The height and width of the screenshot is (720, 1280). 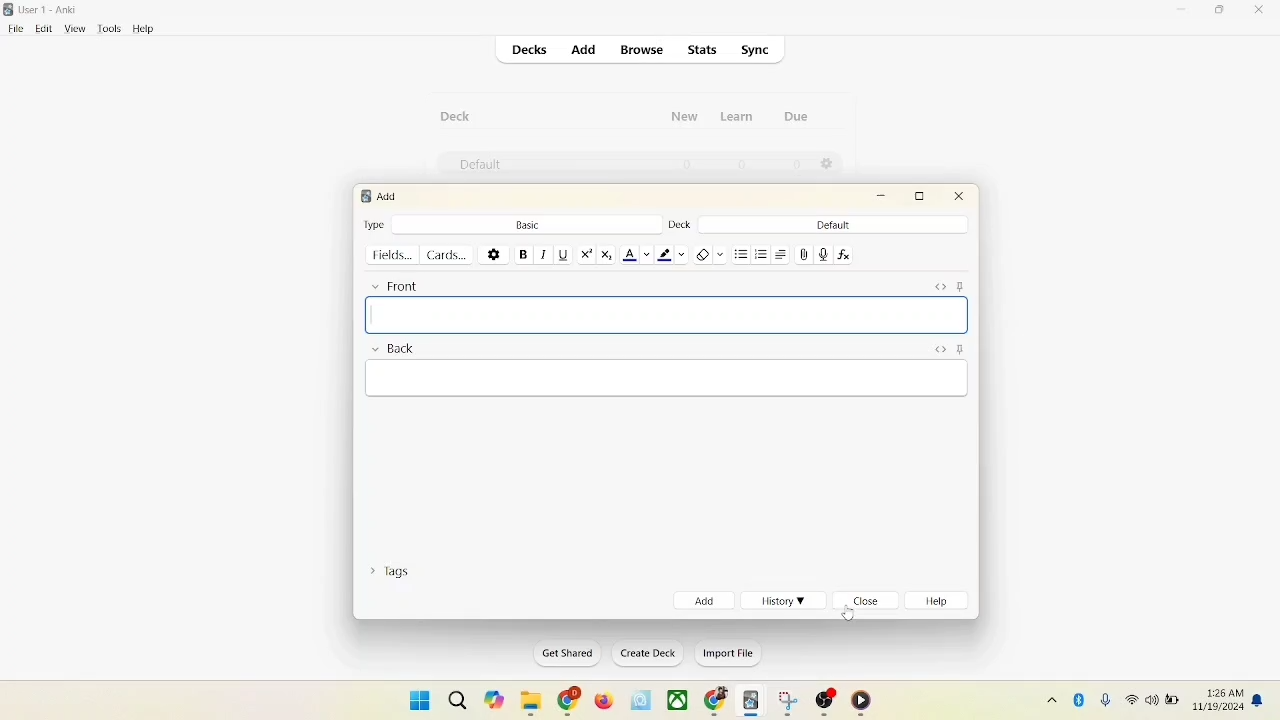 What do you see at coordinates (883, 197) in the screenshot?
I see `minimize` at bounding box center [883, 197].